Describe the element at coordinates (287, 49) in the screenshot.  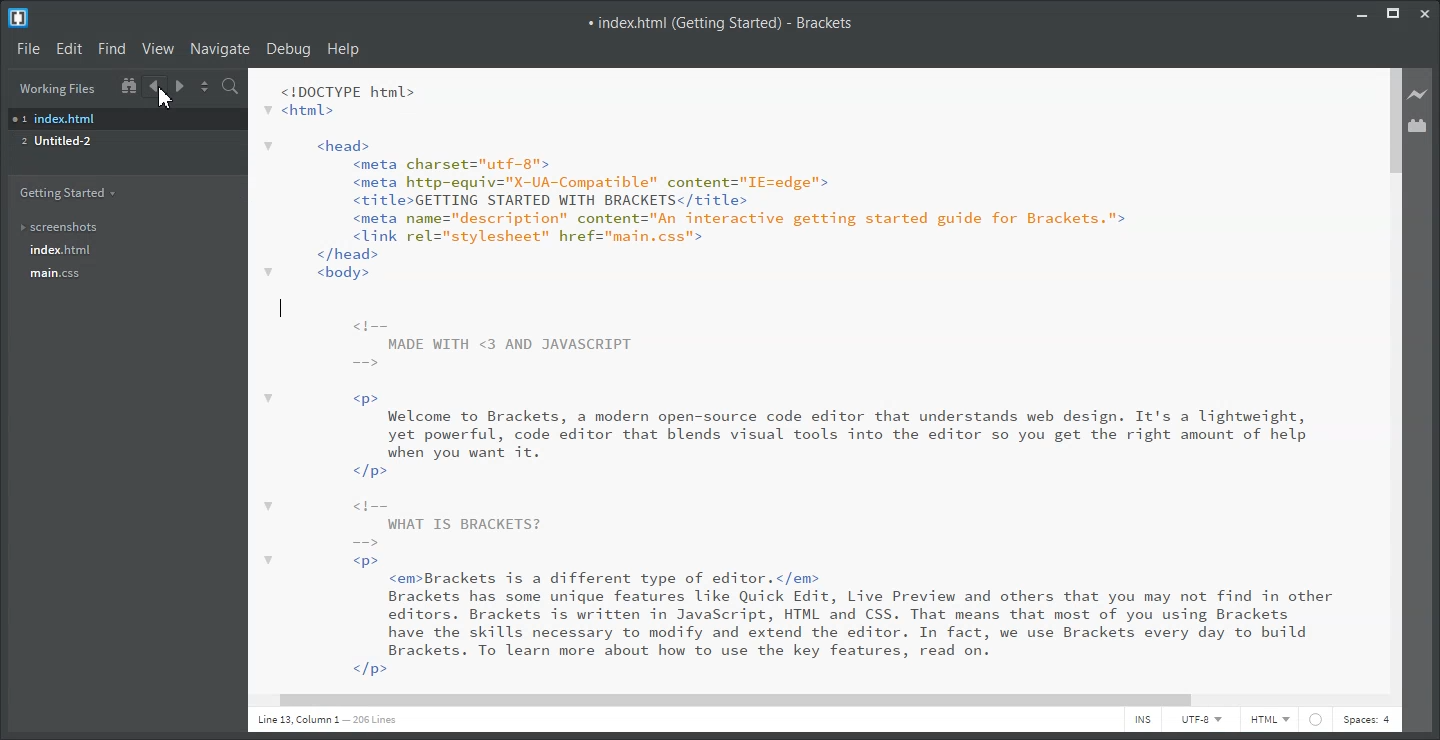
I see `Debug` at that location.